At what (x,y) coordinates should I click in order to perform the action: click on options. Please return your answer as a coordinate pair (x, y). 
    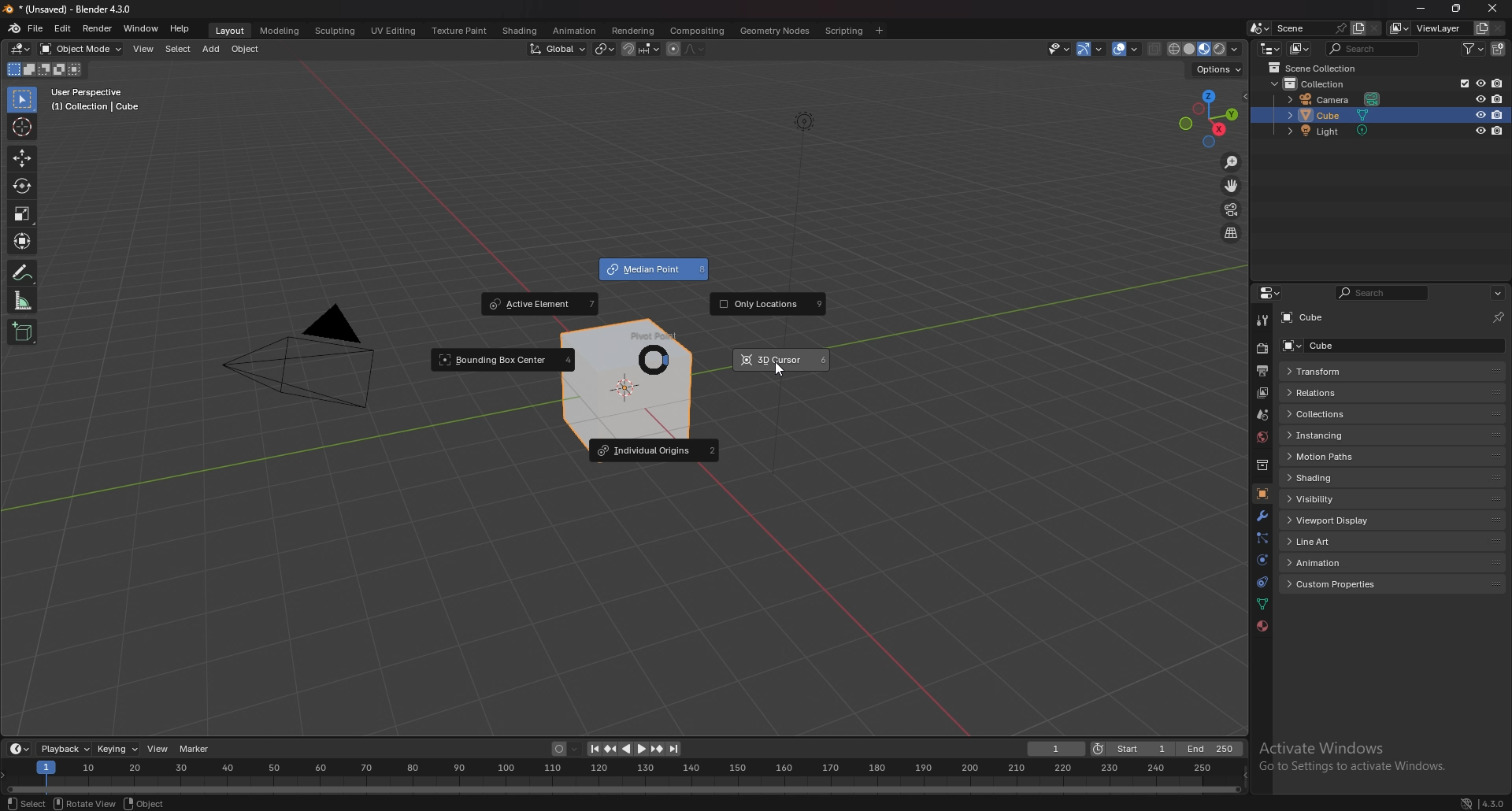
    Looking at the image, I should click on (1498, 293).